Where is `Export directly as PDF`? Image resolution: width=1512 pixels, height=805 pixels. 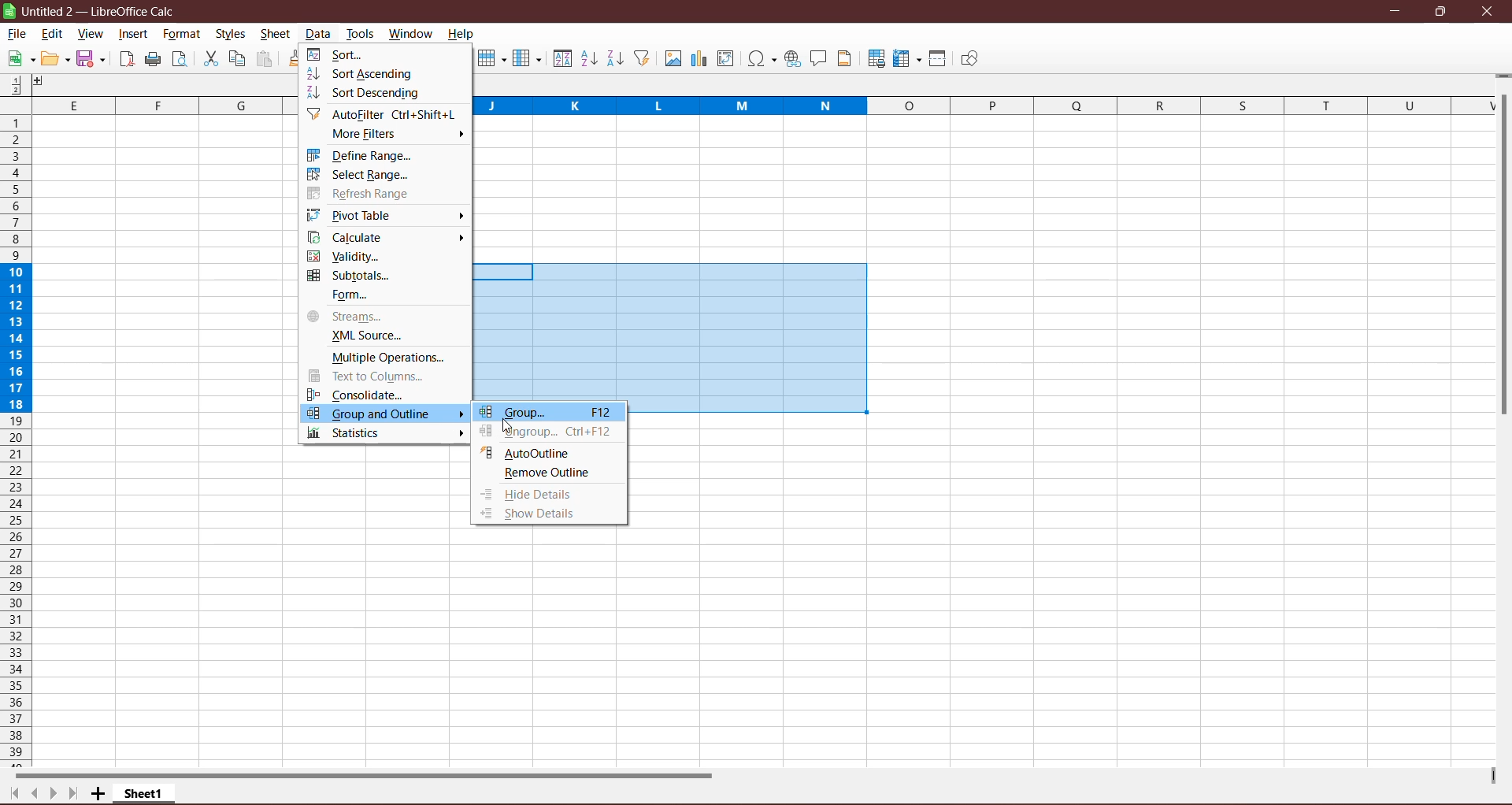 Export directly as PDF is located at coordinates (125, 61).